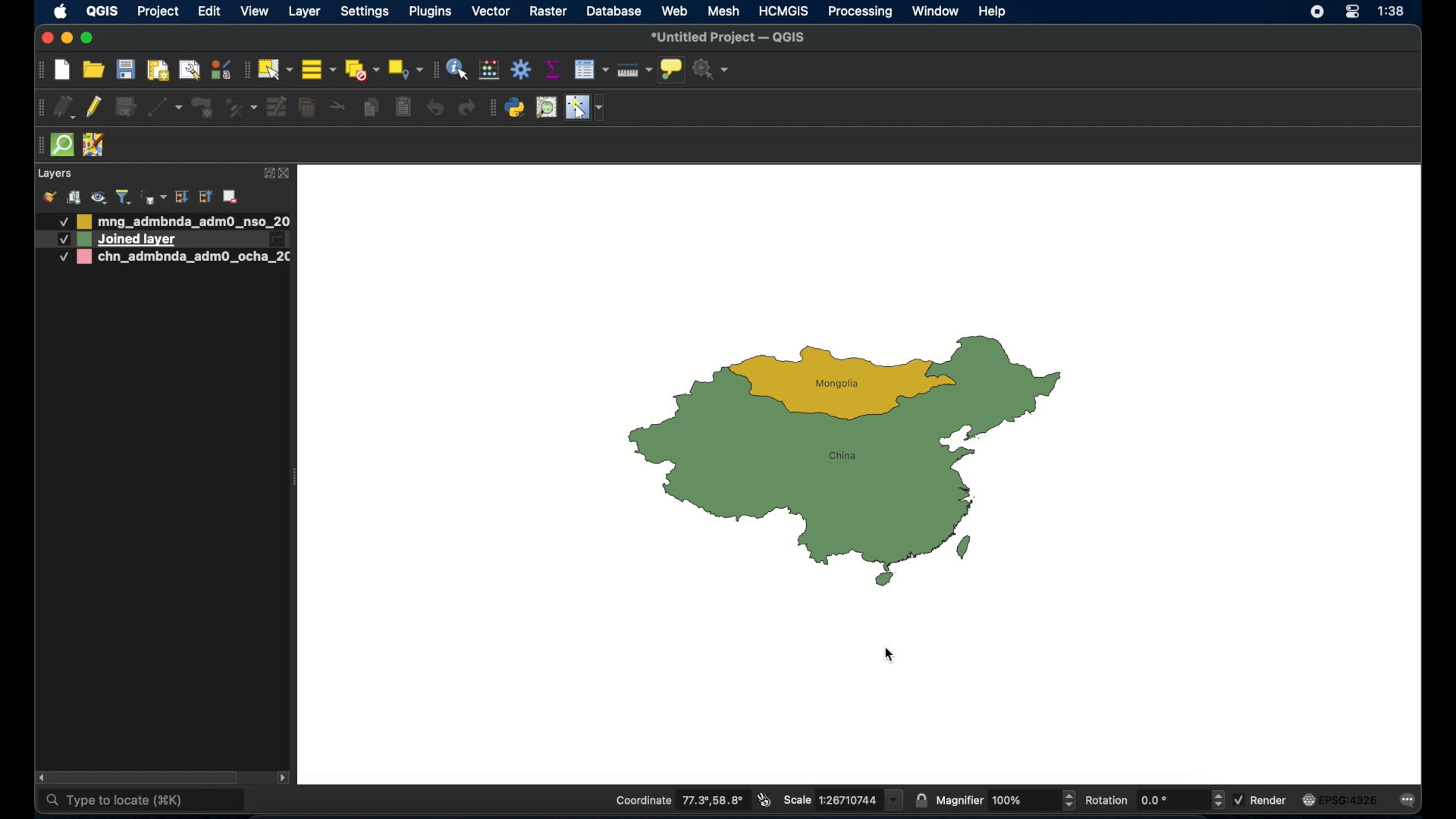 The width and height of the screenshot is (1456, 819). Describe the element at coordinates (633, 71) in the screenshot. I see `measure line` at that location.